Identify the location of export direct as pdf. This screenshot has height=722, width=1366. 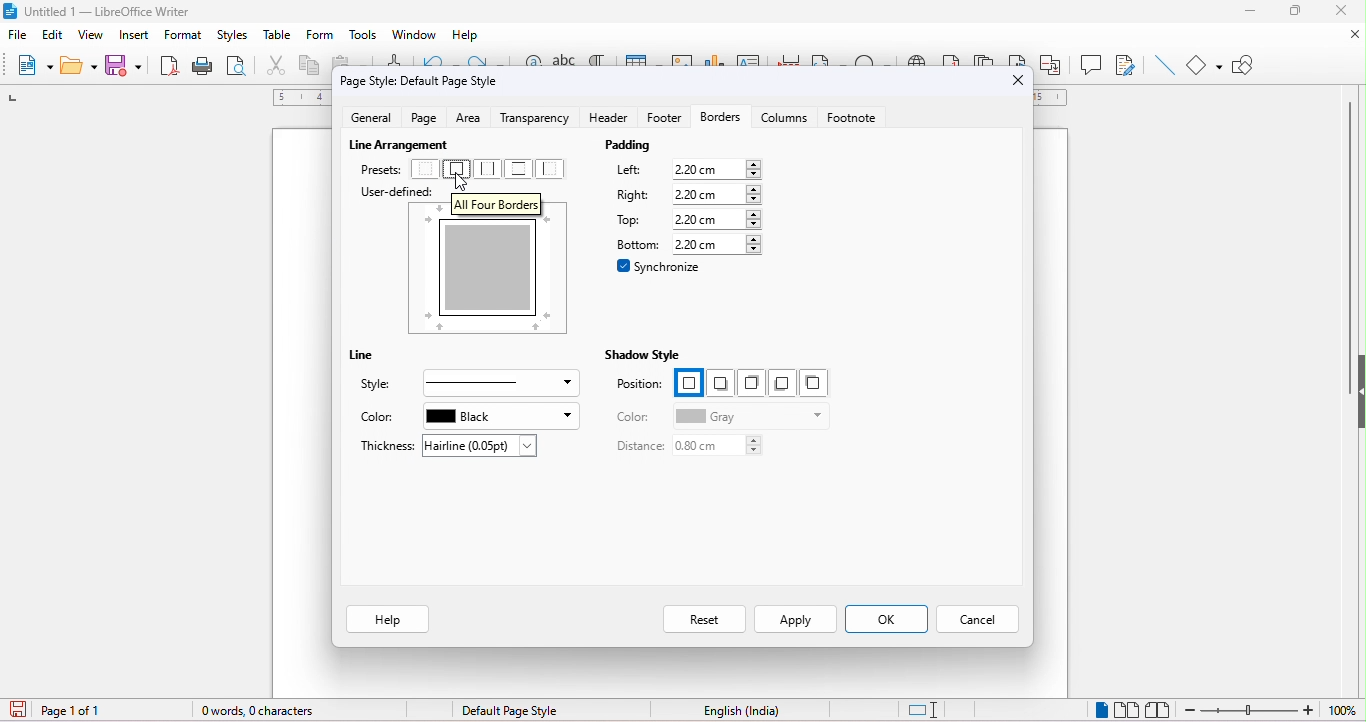
(167, 66).